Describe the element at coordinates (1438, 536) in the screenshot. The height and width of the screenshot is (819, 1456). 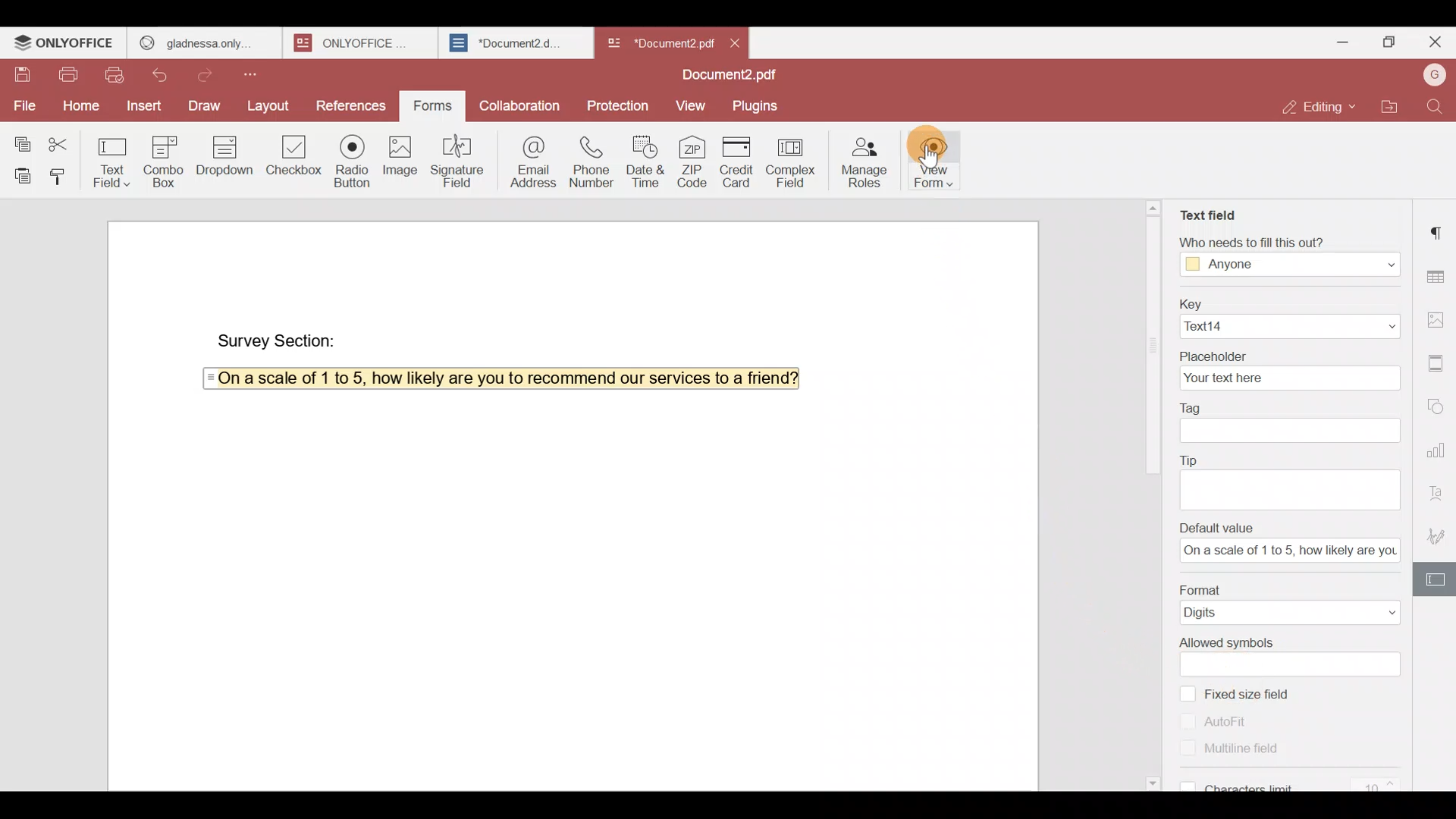
I see `Signature settings` at that location.